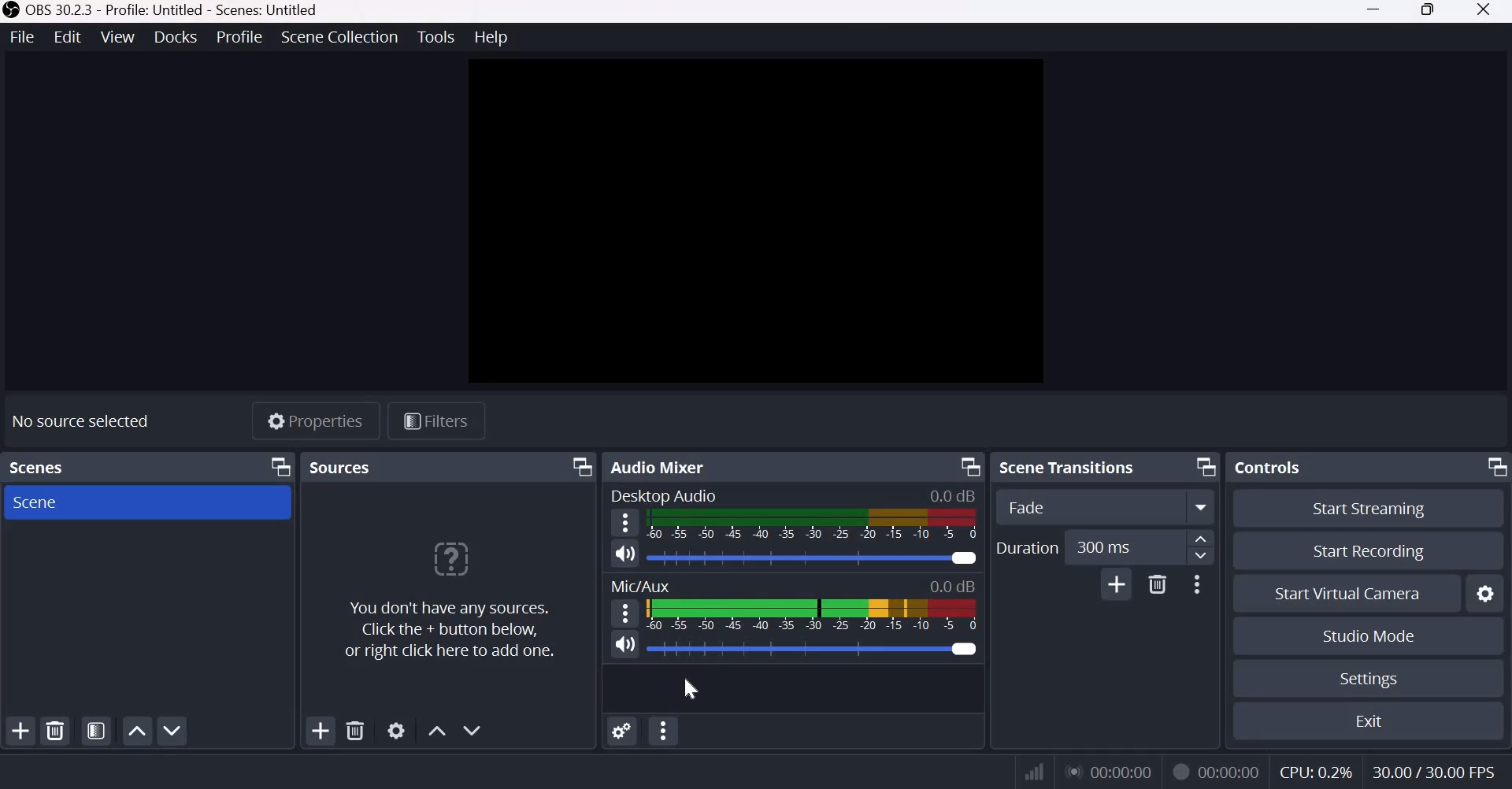 This screenshot has height=789, width=1512. I want to click on Frame Rate (FPS), so click(1432, 769).